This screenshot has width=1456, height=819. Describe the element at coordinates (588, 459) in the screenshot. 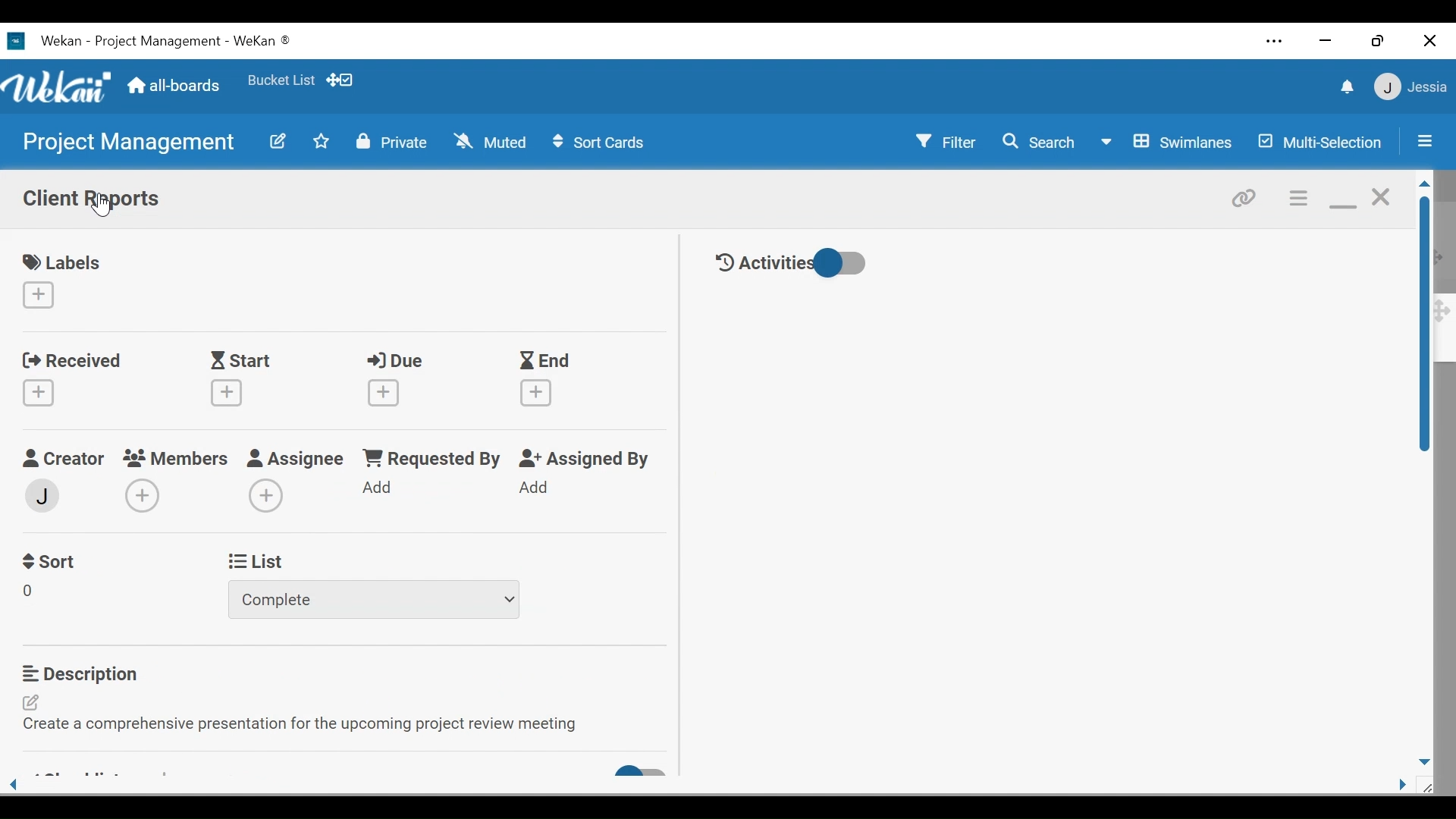

I see `Assigned By` at that location.